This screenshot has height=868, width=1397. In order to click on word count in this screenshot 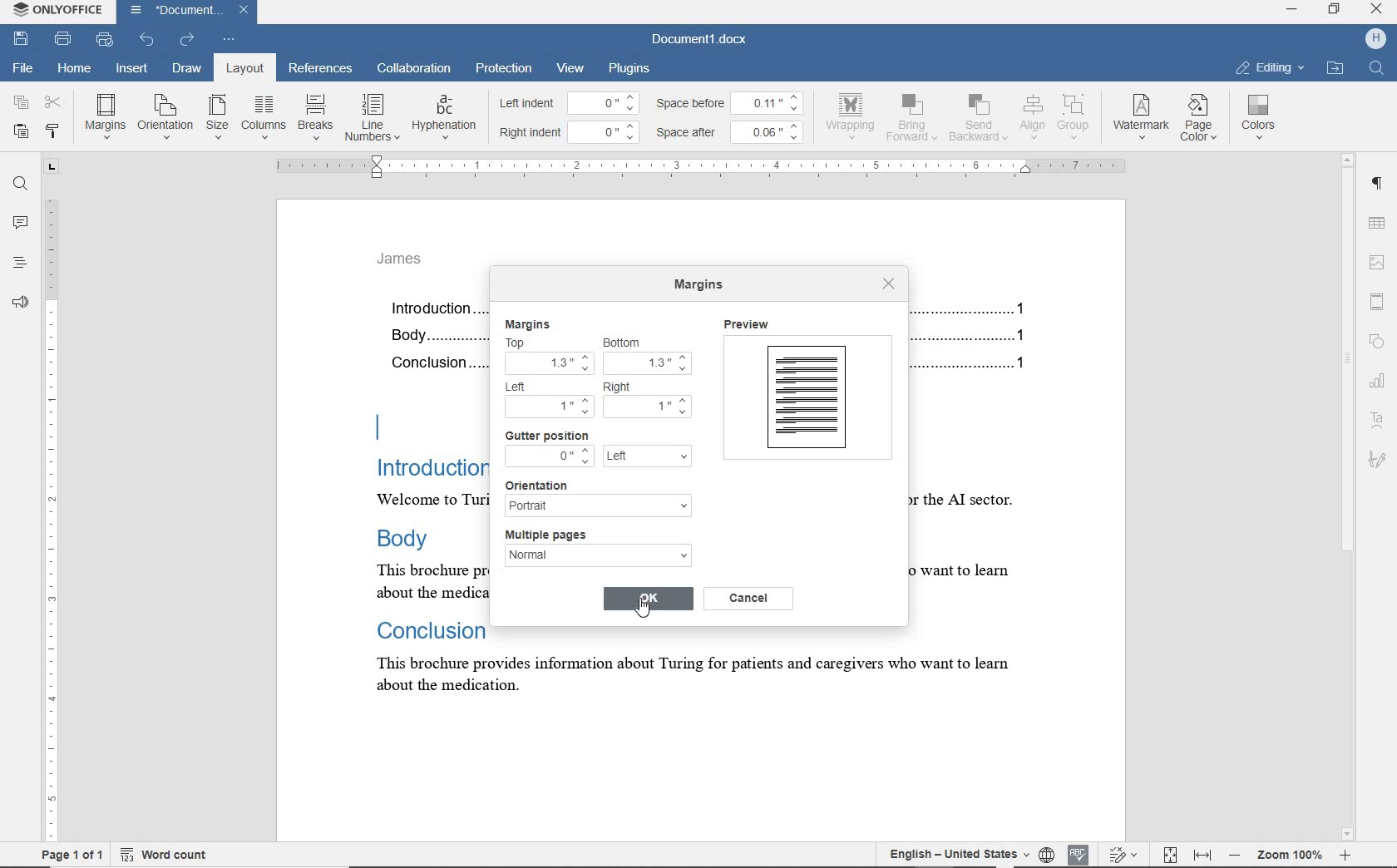, I will do `click(164, 855)`.